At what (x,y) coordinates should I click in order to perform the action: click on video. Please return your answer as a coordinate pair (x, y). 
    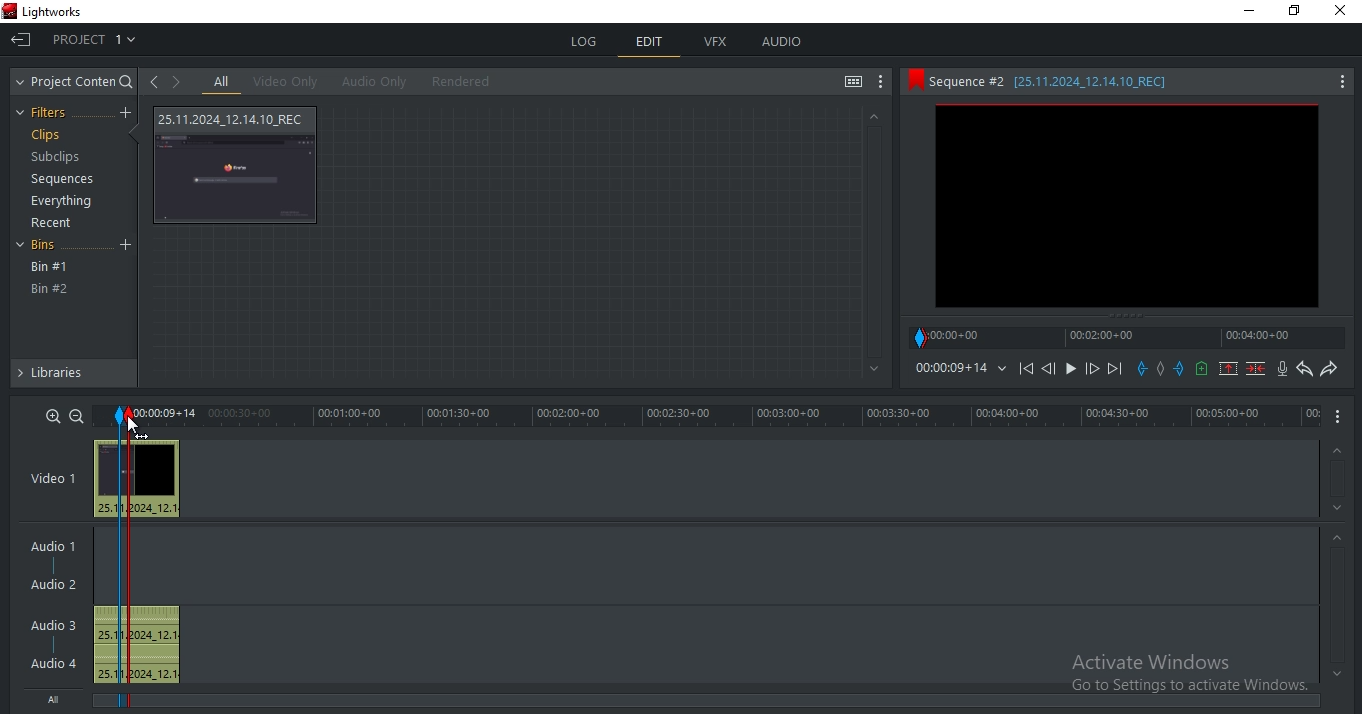
    Looking at the image, I should click on (138, 479).